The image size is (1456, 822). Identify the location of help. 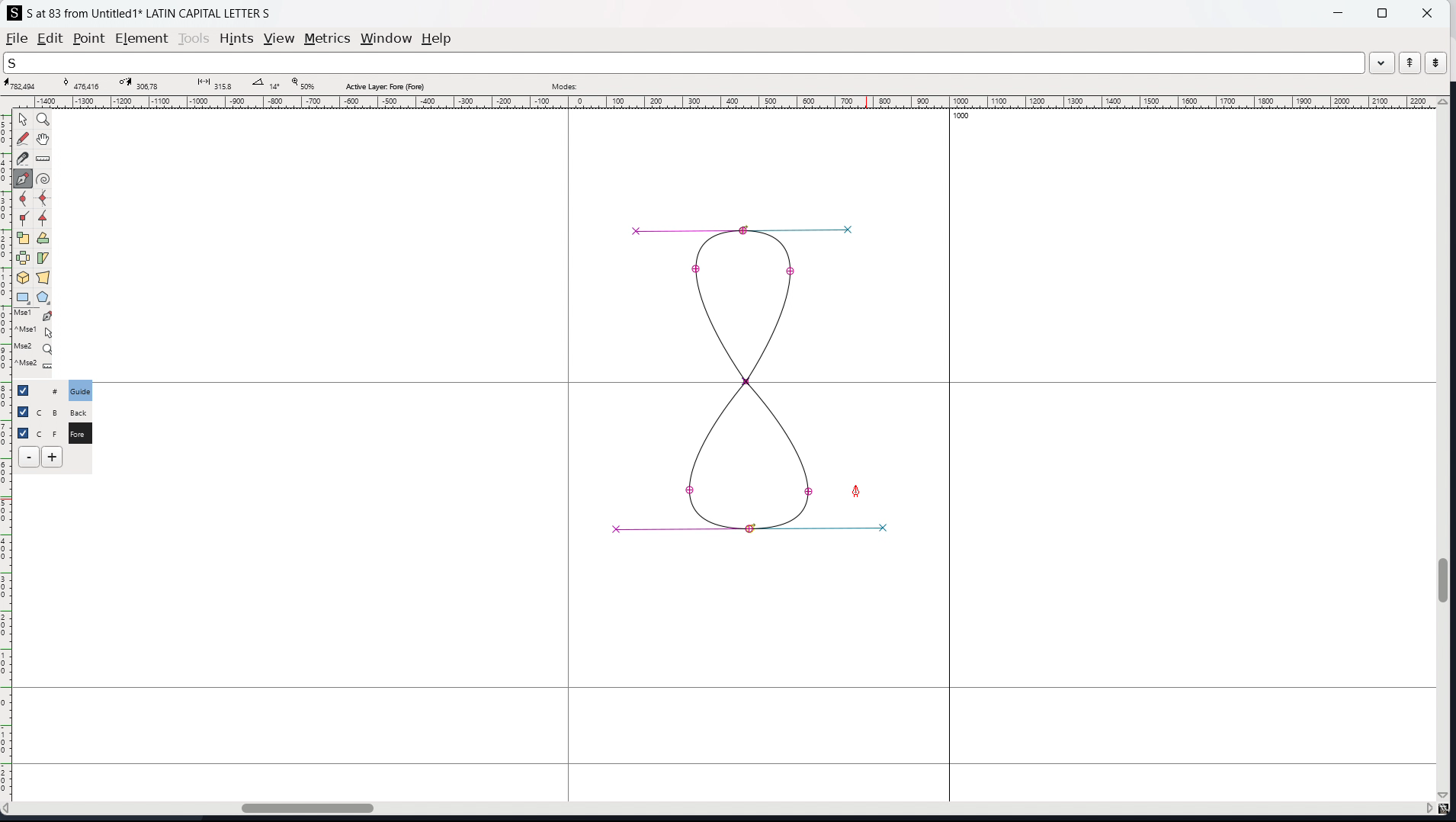
(437, 39).